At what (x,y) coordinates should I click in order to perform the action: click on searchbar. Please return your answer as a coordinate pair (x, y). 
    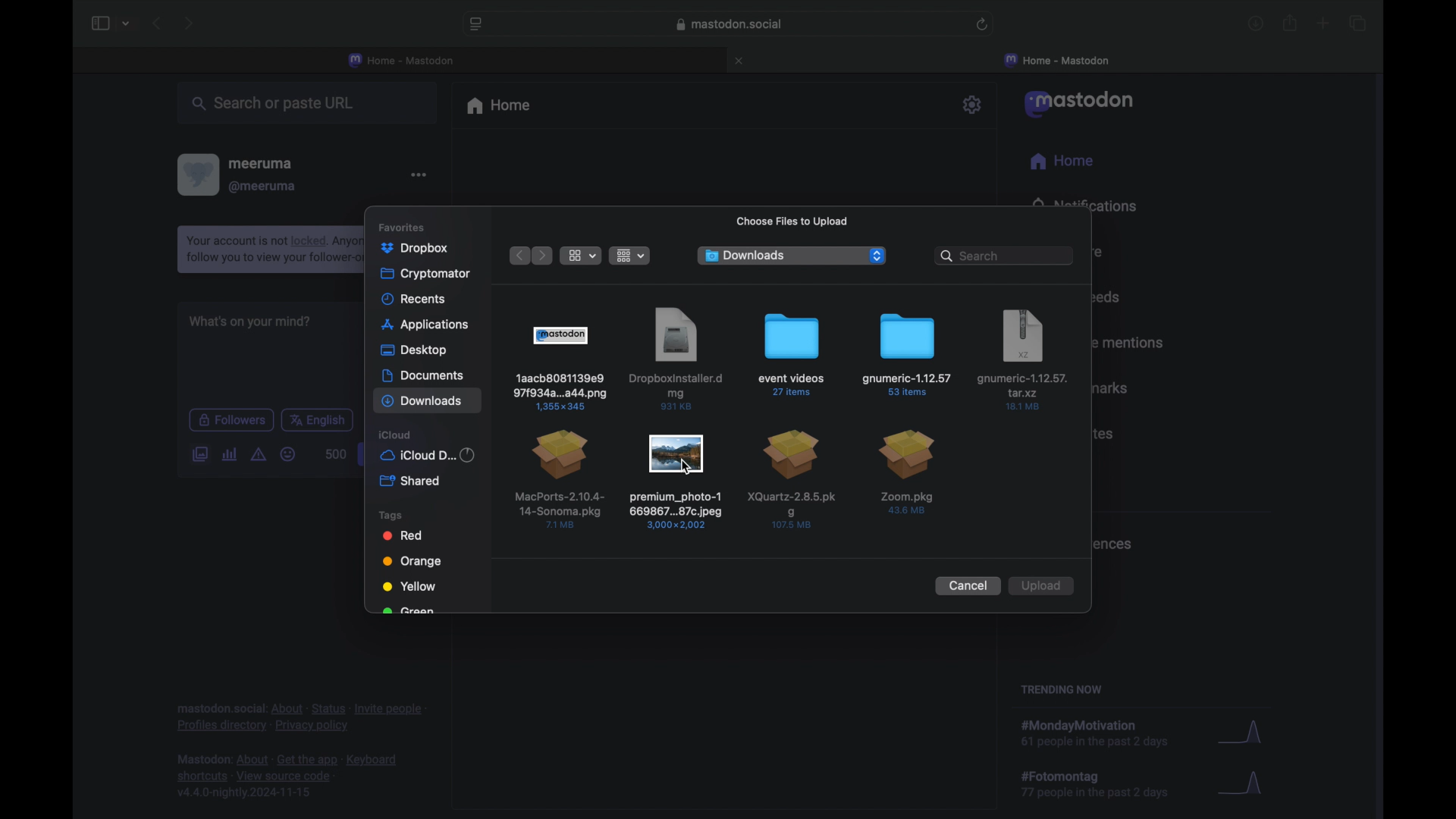
    Looking at the image, I should click on (1006, 256).